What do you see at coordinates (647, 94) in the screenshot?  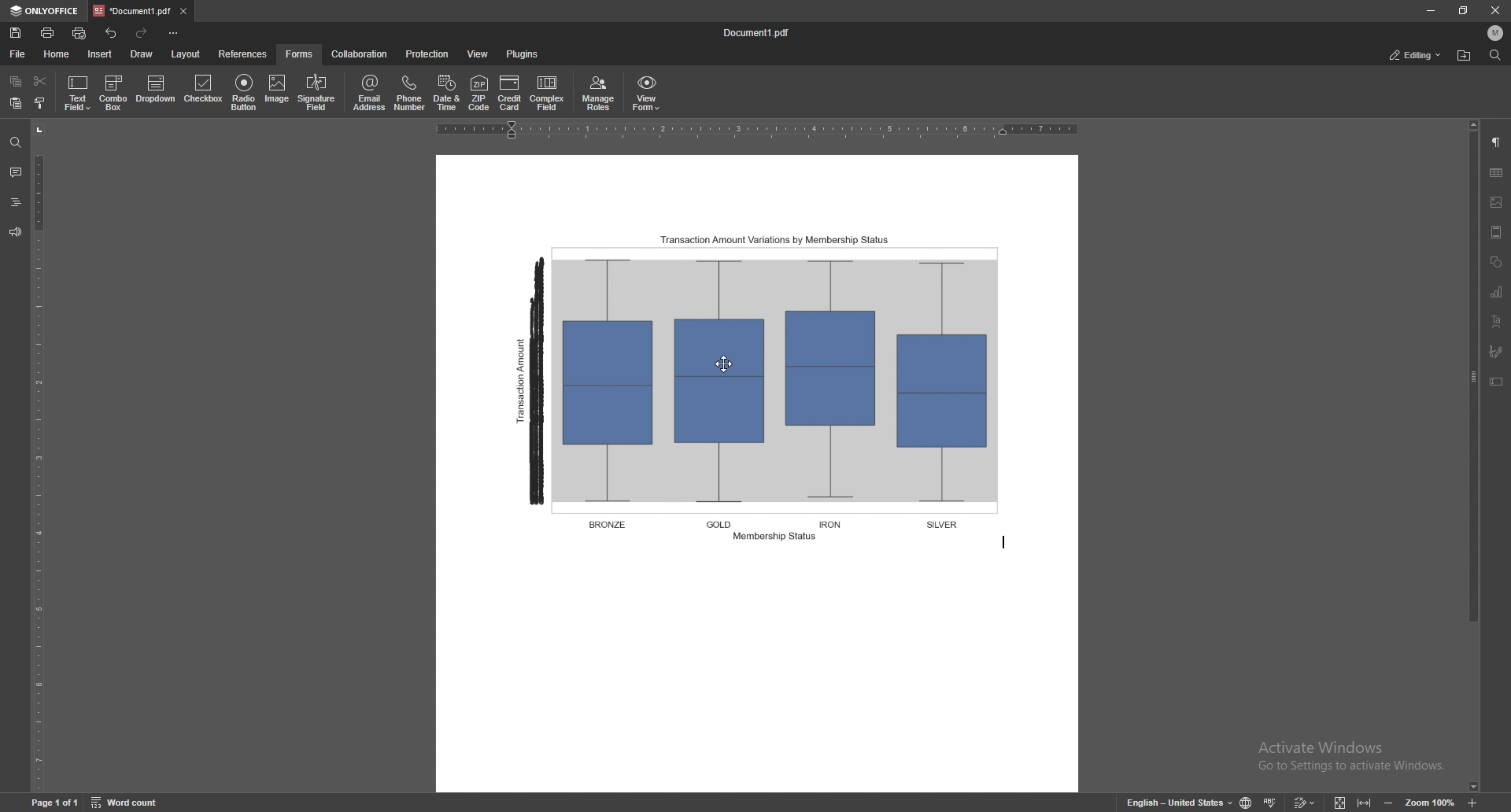 I see `view form` at bounding box center [647, 94].